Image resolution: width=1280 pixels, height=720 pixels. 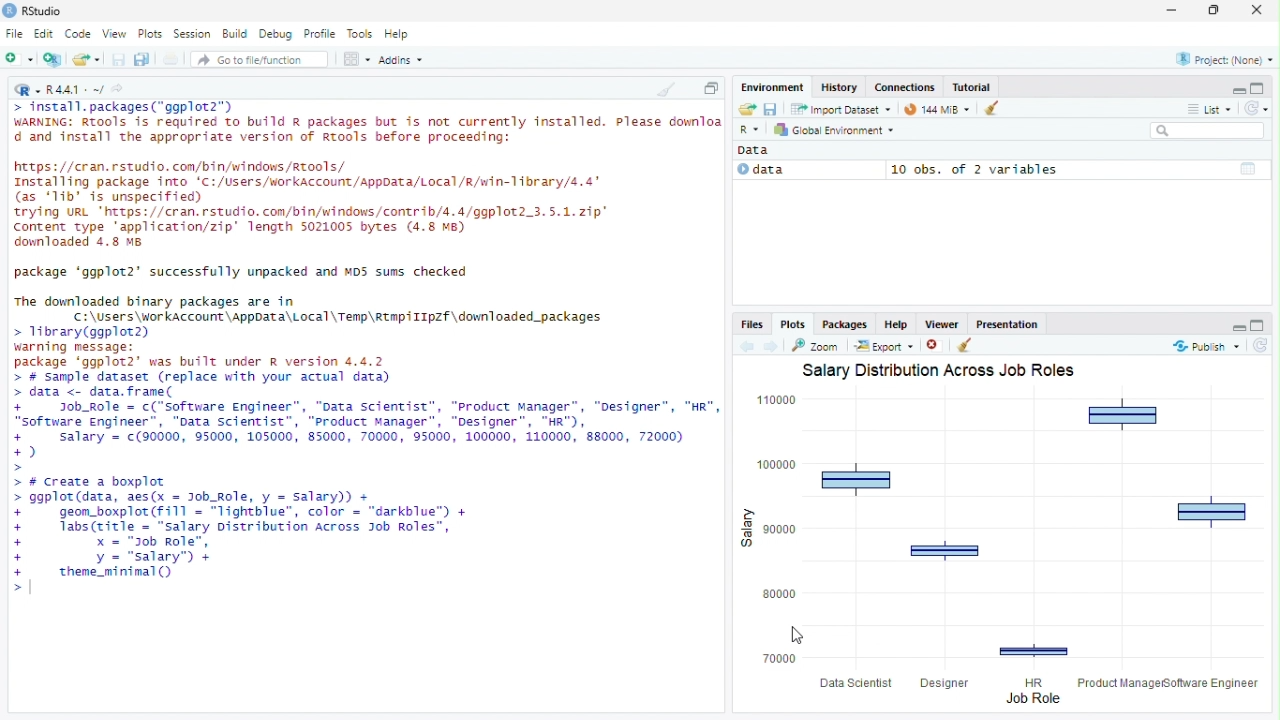 I want to click on Tools, so click(x=359, y=34).